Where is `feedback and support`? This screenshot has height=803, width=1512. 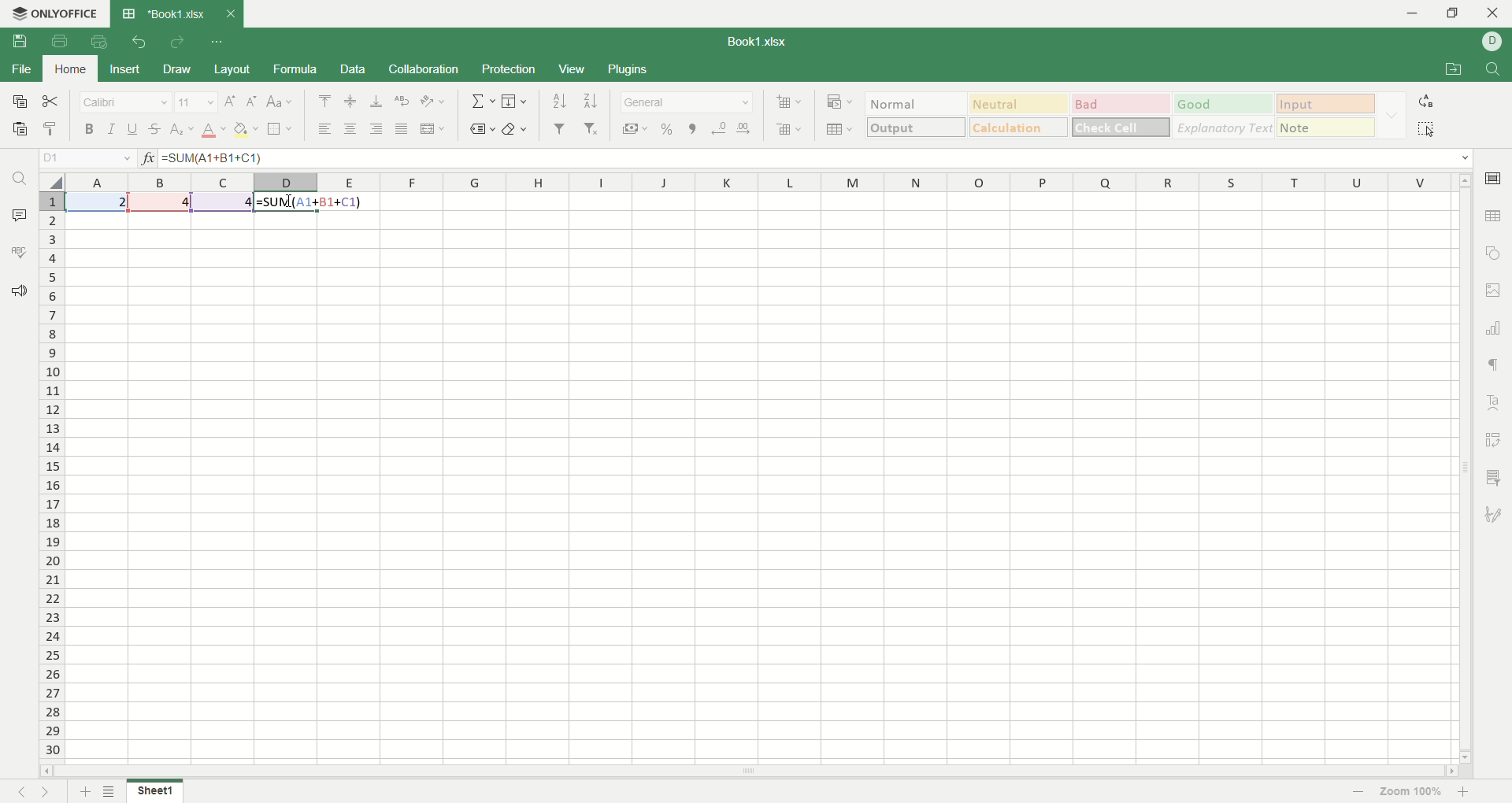 feedback and support is located at coordinates (17, 290).